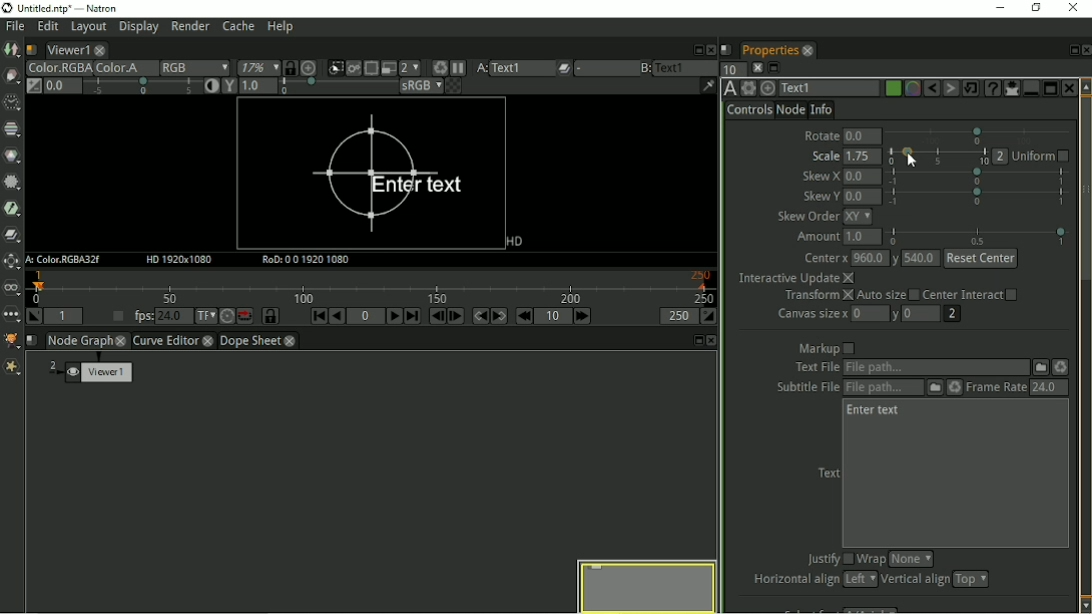 This screenshot has height=614, width=1092. What do you see at coordinates (507, 67) in the screenshot?
I see `Viewer input A` at bounding box center [507, 67].